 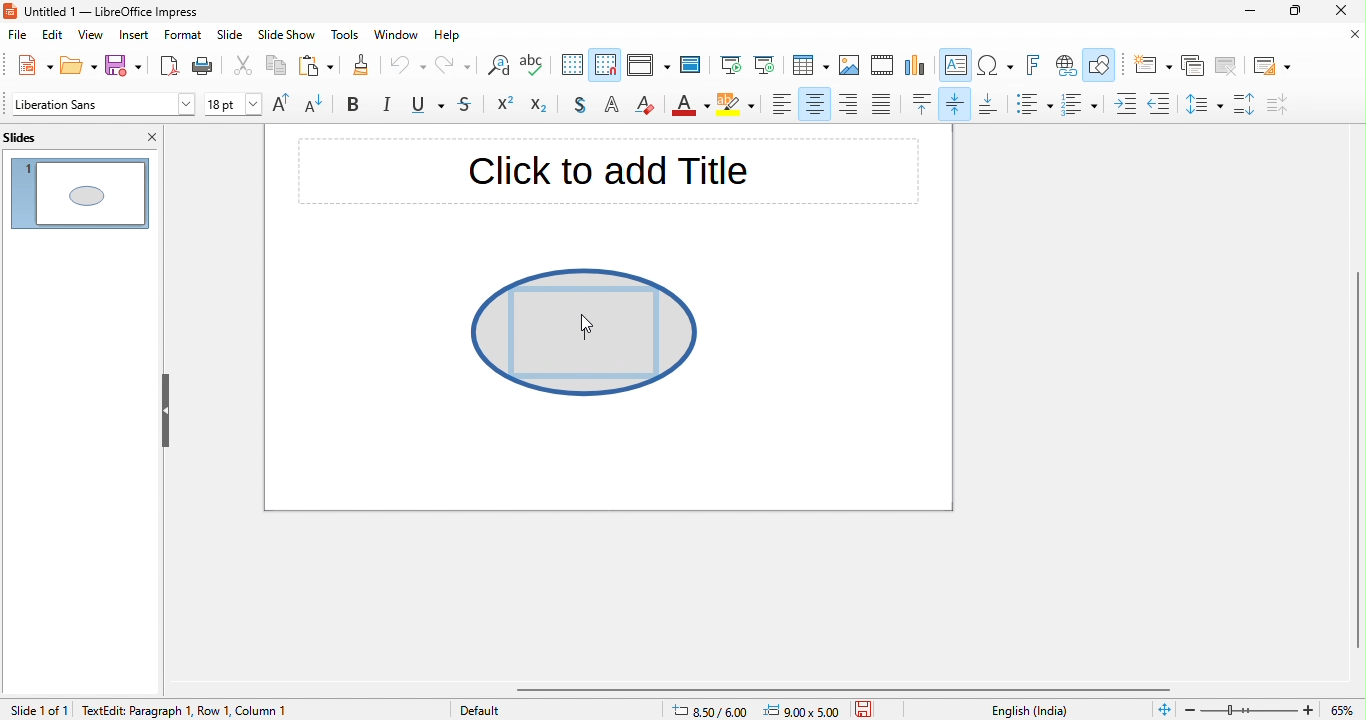 I want to click on table, so click(x=810, y=66).